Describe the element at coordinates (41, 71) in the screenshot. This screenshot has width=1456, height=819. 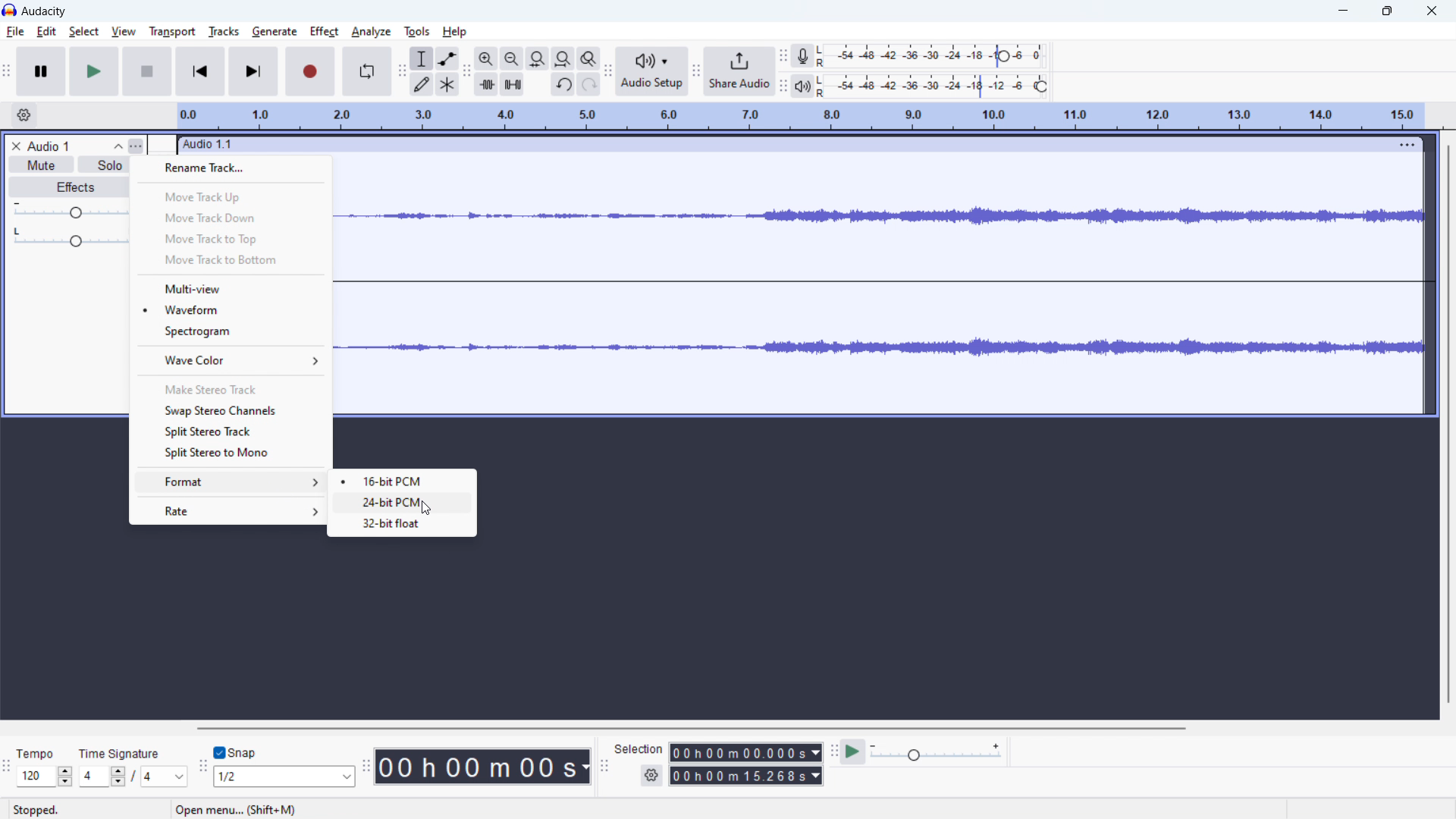
I see `pause` at that location.